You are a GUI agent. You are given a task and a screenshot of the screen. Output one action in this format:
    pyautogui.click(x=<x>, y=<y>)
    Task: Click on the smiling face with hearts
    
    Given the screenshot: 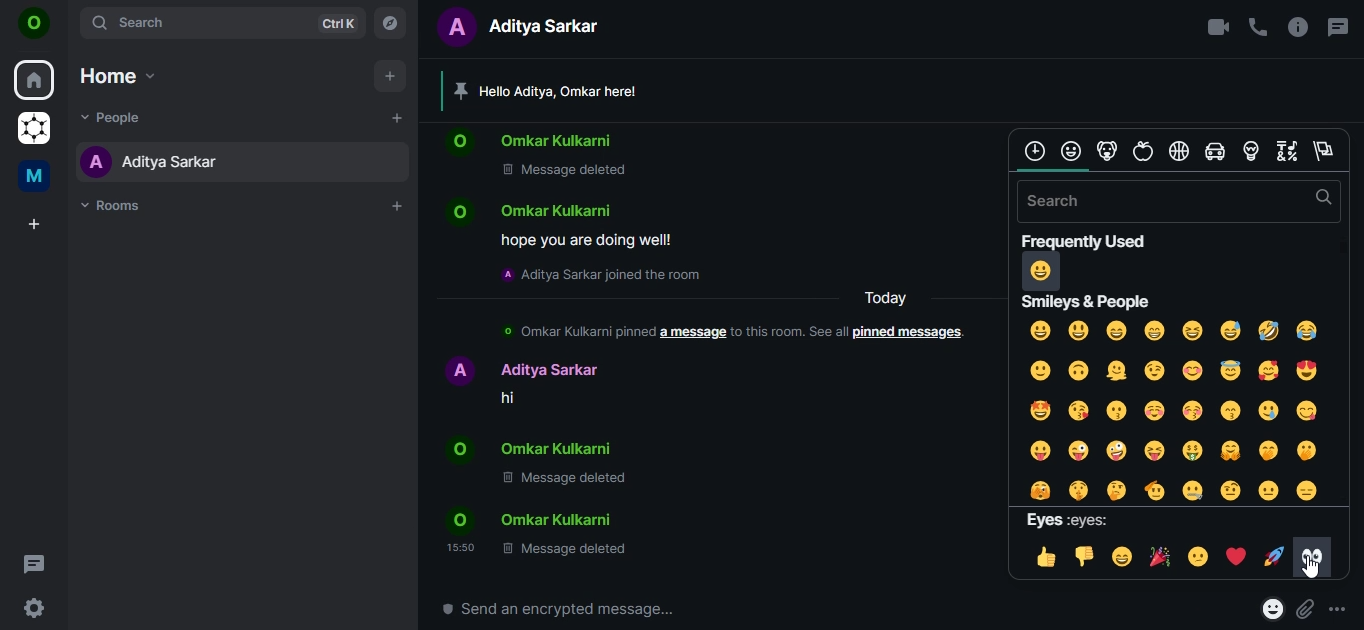 What is the action you would take?
    pyautogui.click(x=1266, y=370)
    